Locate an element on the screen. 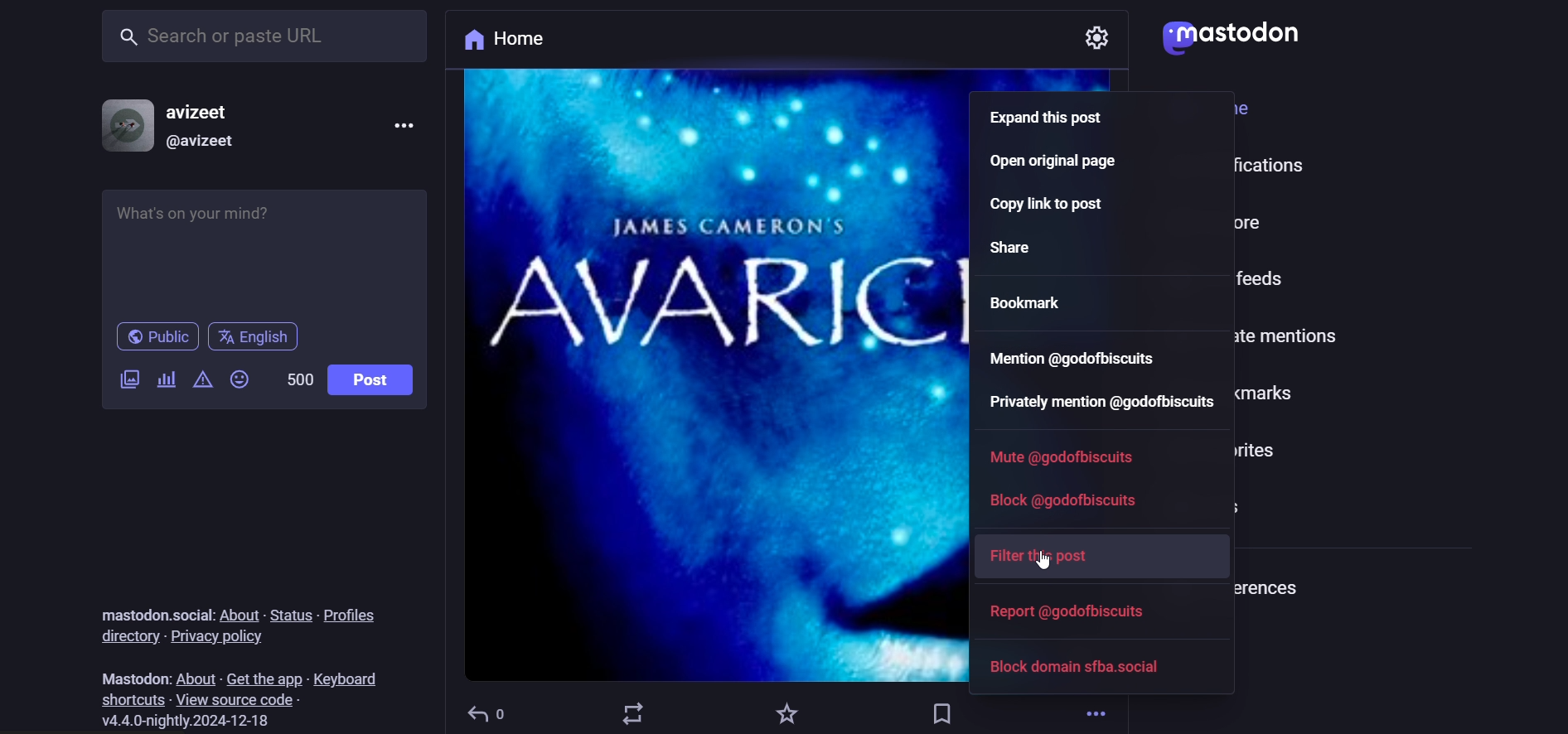 Image resolution: width=1568 pixels, height=734 pixels. search is located at coordinates (259, 41).